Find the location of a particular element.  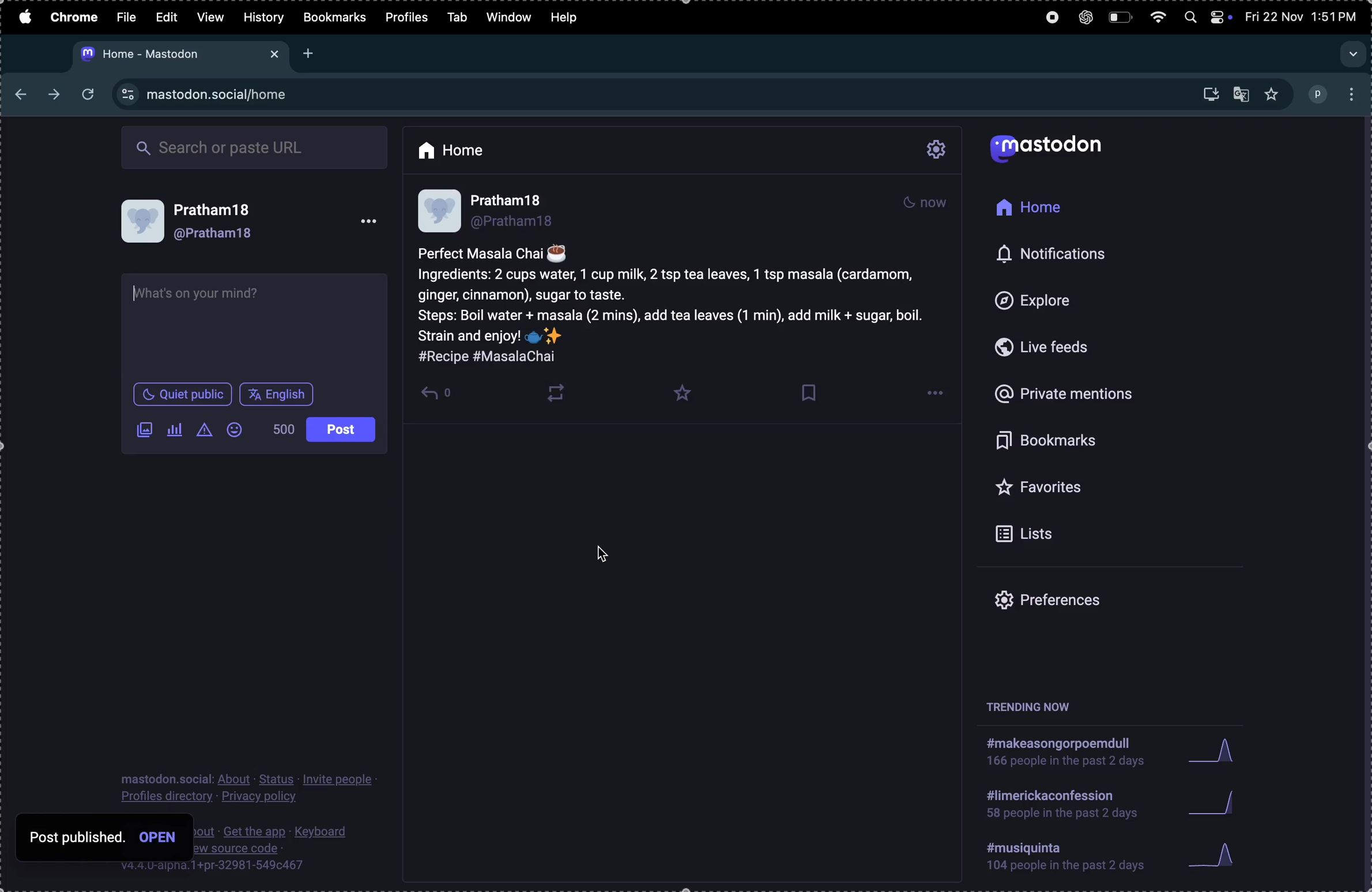

private mentions is located at coordinates (1071, 388).